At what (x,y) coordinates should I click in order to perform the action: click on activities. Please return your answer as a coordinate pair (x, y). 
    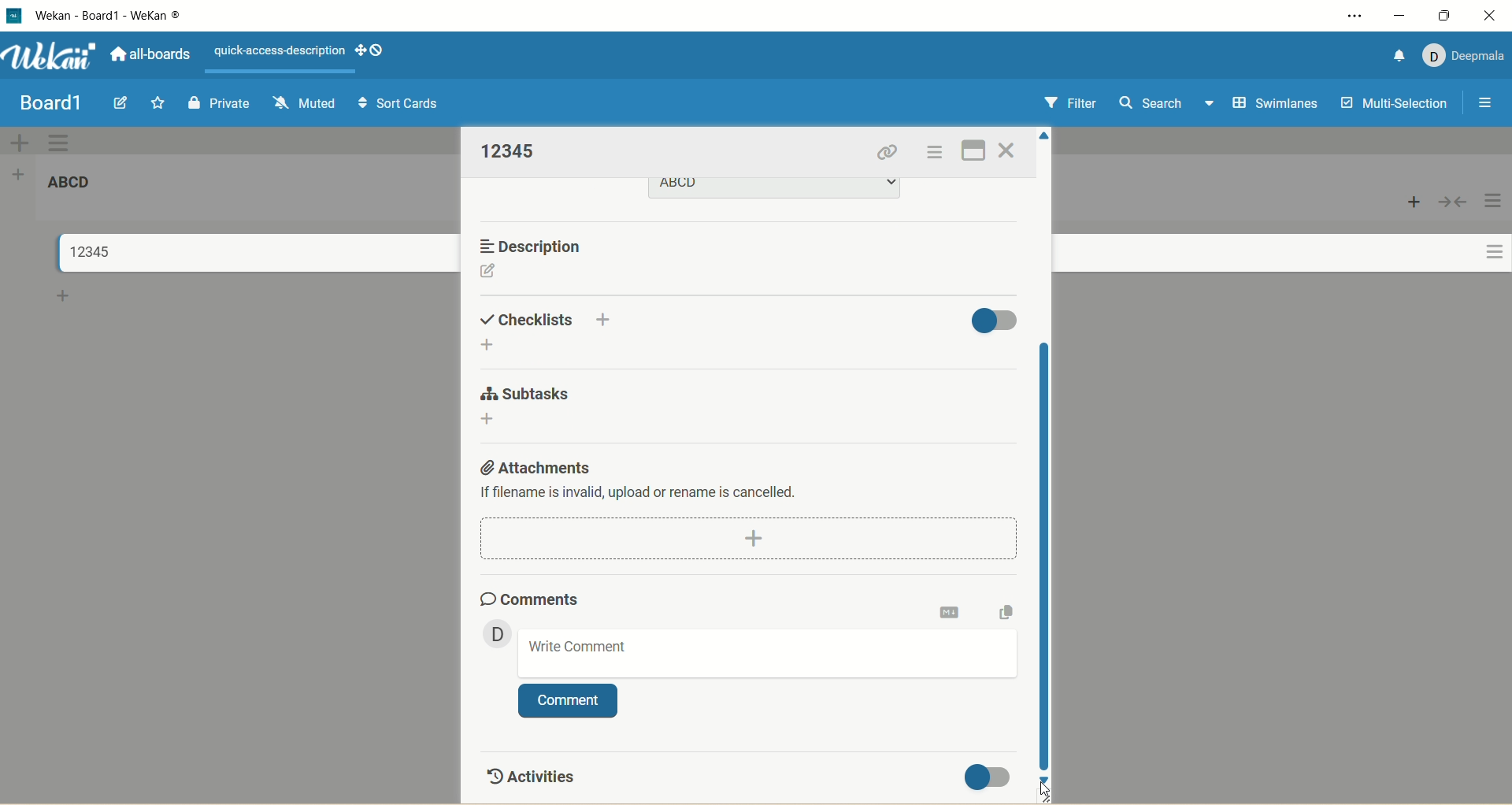
    Looking at the image, I should click on (528, 773).